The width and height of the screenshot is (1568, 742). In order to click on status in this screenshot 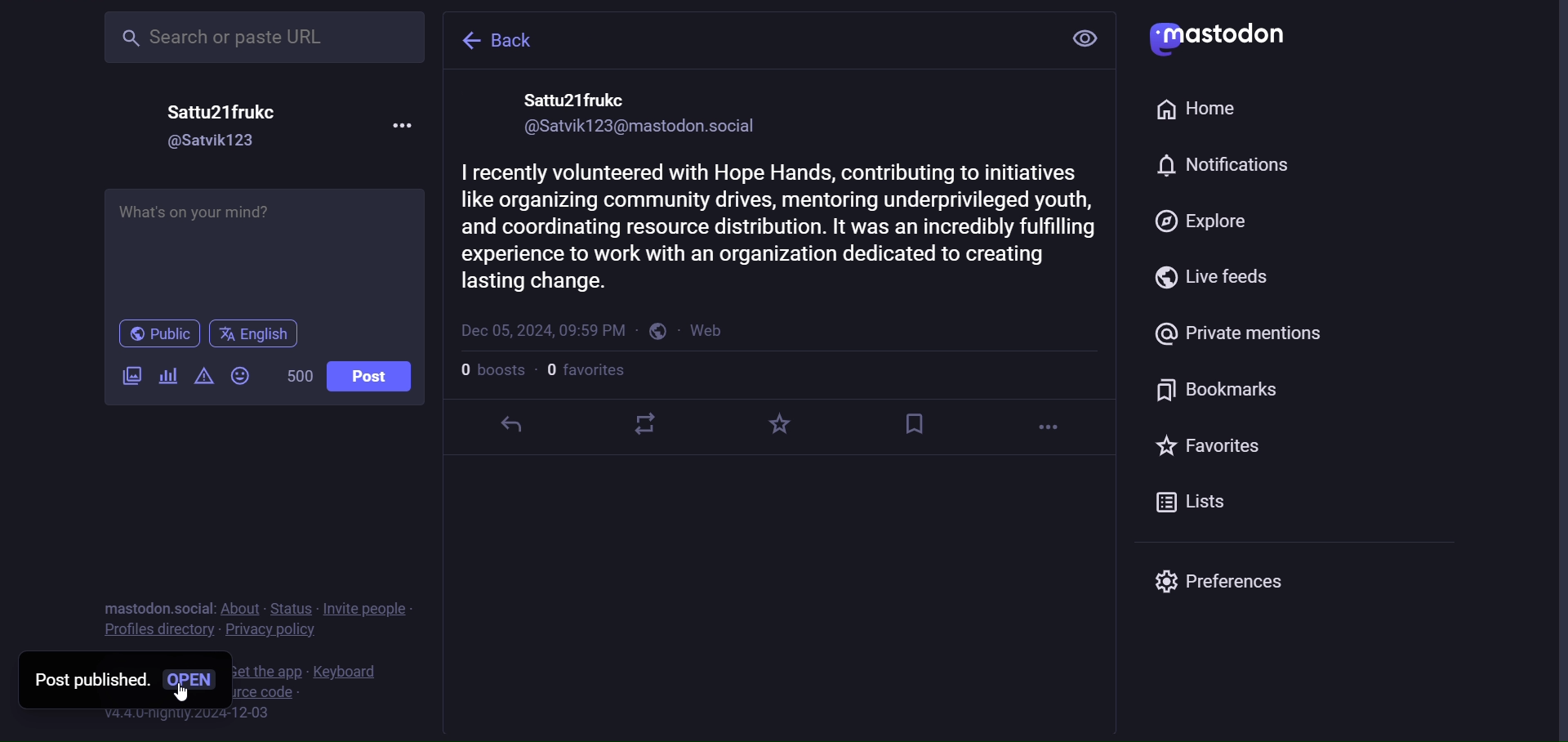, I will do `click(287, 606)`.